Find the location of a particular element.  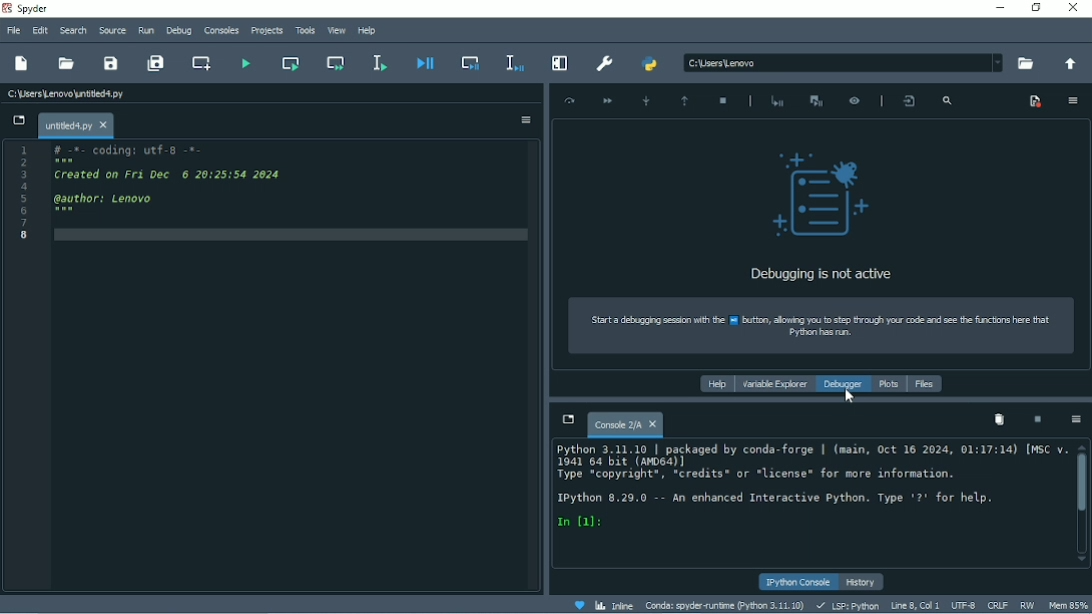

Show the file line where the debugger is placed in the editor is located at coordinates (909, 101).